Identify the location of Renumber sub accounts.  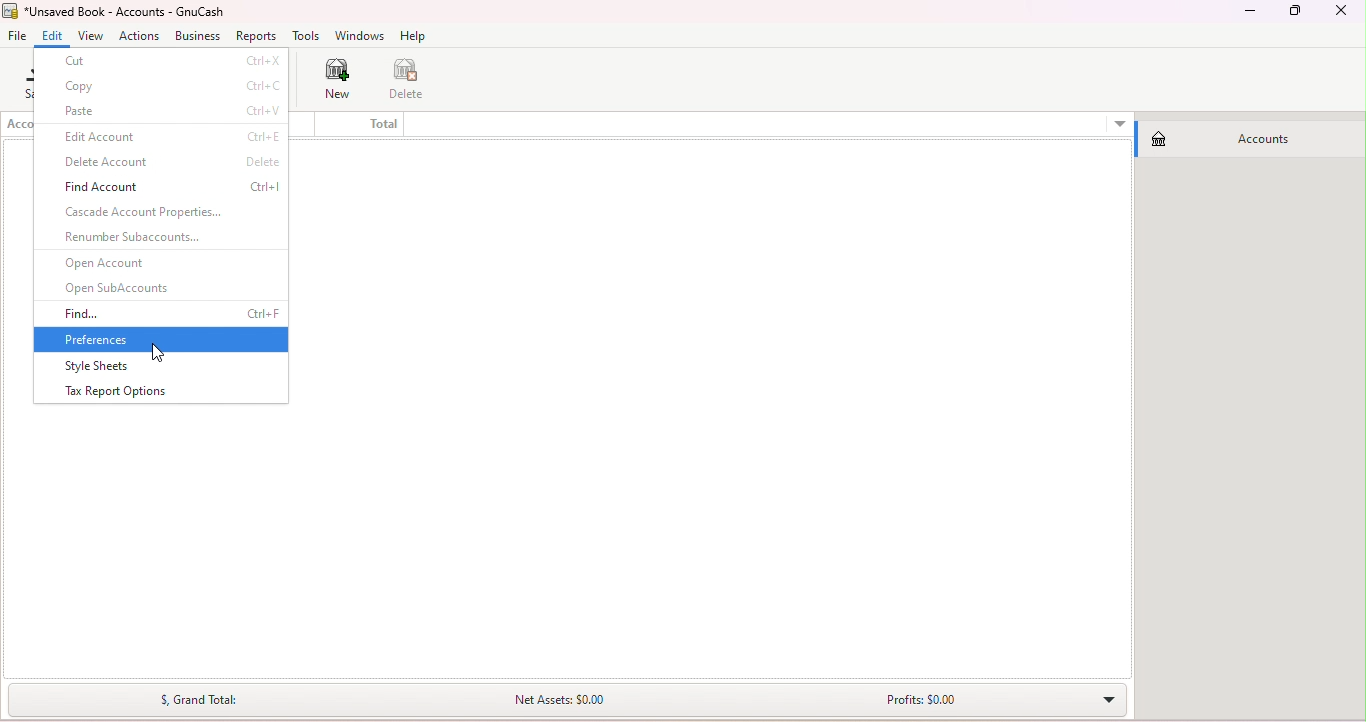
(155, 236).